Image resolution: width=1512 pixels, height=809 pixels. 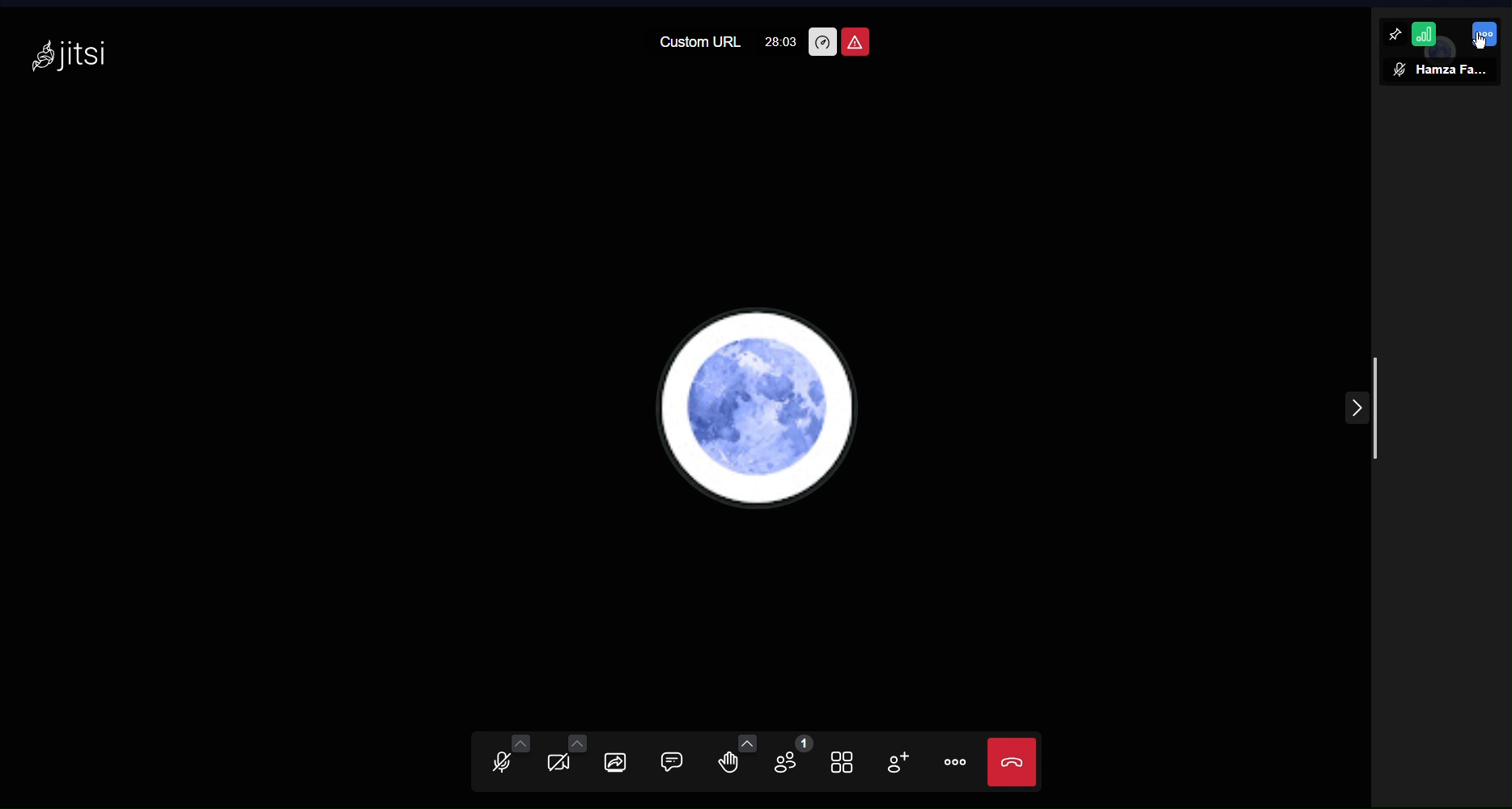 I want to click on More Options, so click(x=955, y=764).